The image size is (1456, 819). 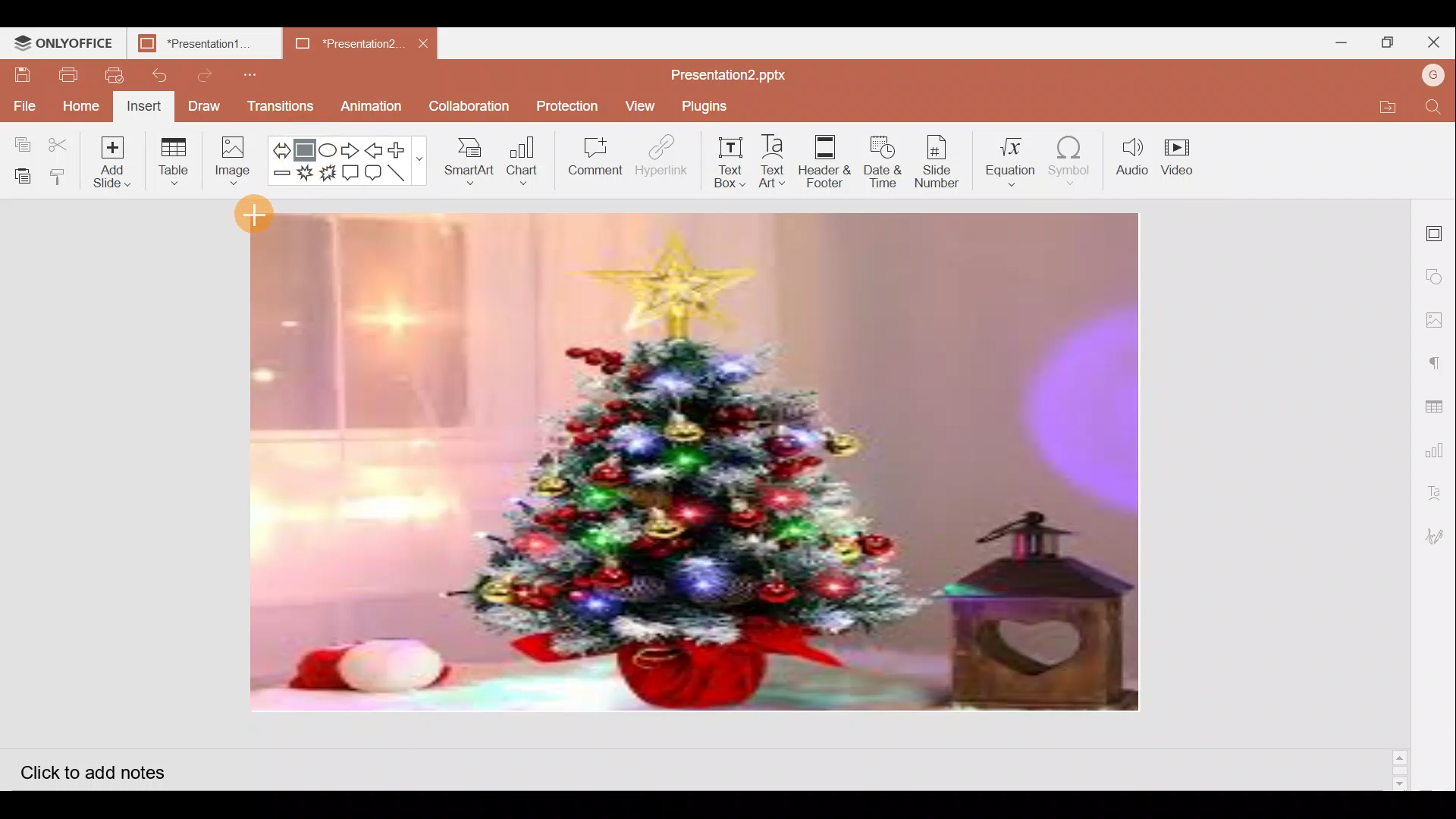 I want to click on Animation, so click(x=377, y=103).